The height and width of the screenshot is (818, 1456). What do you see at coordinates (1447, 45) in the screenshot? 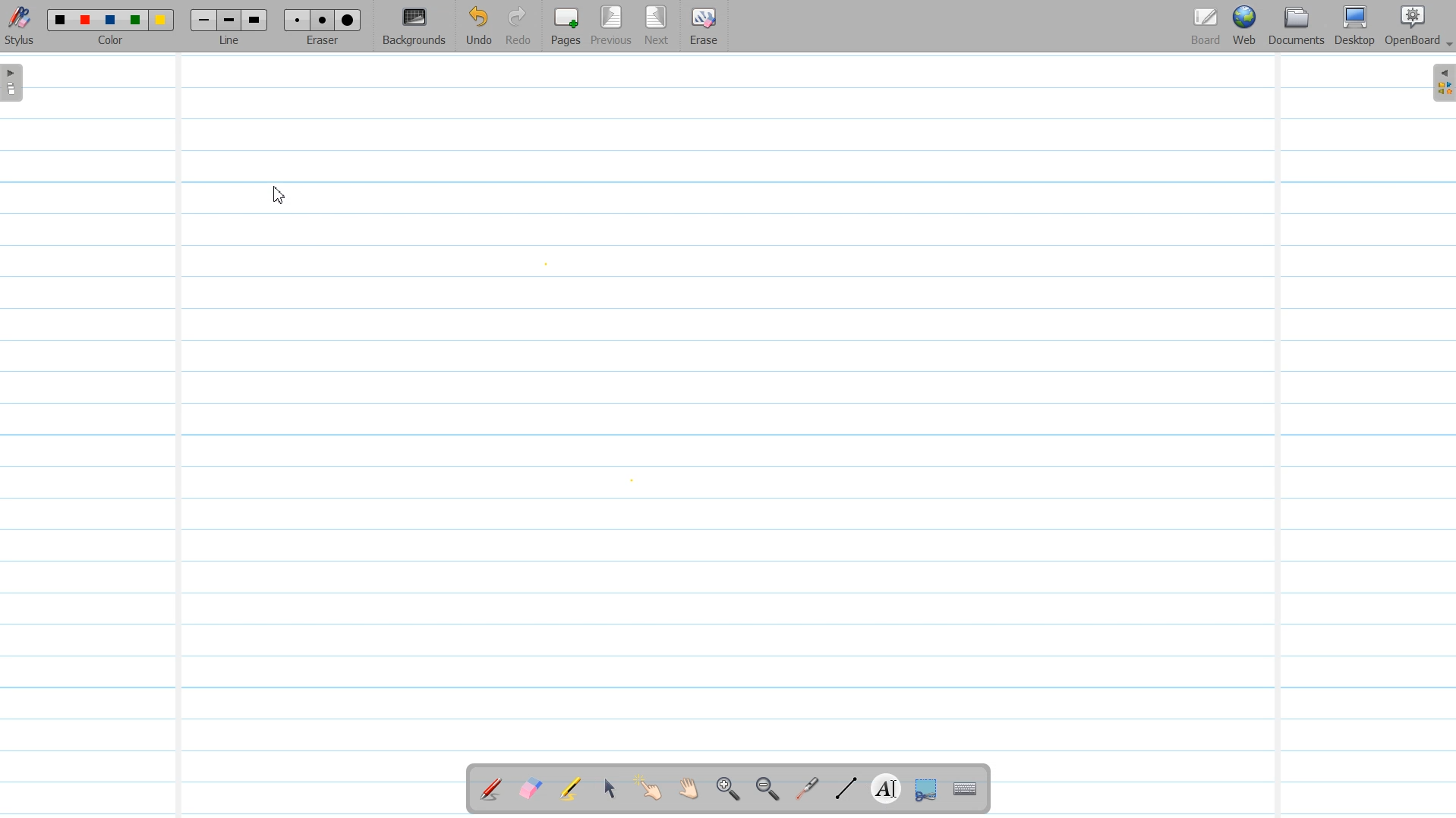
I see `Drop Down Box` at bounding box center [1447, 45].